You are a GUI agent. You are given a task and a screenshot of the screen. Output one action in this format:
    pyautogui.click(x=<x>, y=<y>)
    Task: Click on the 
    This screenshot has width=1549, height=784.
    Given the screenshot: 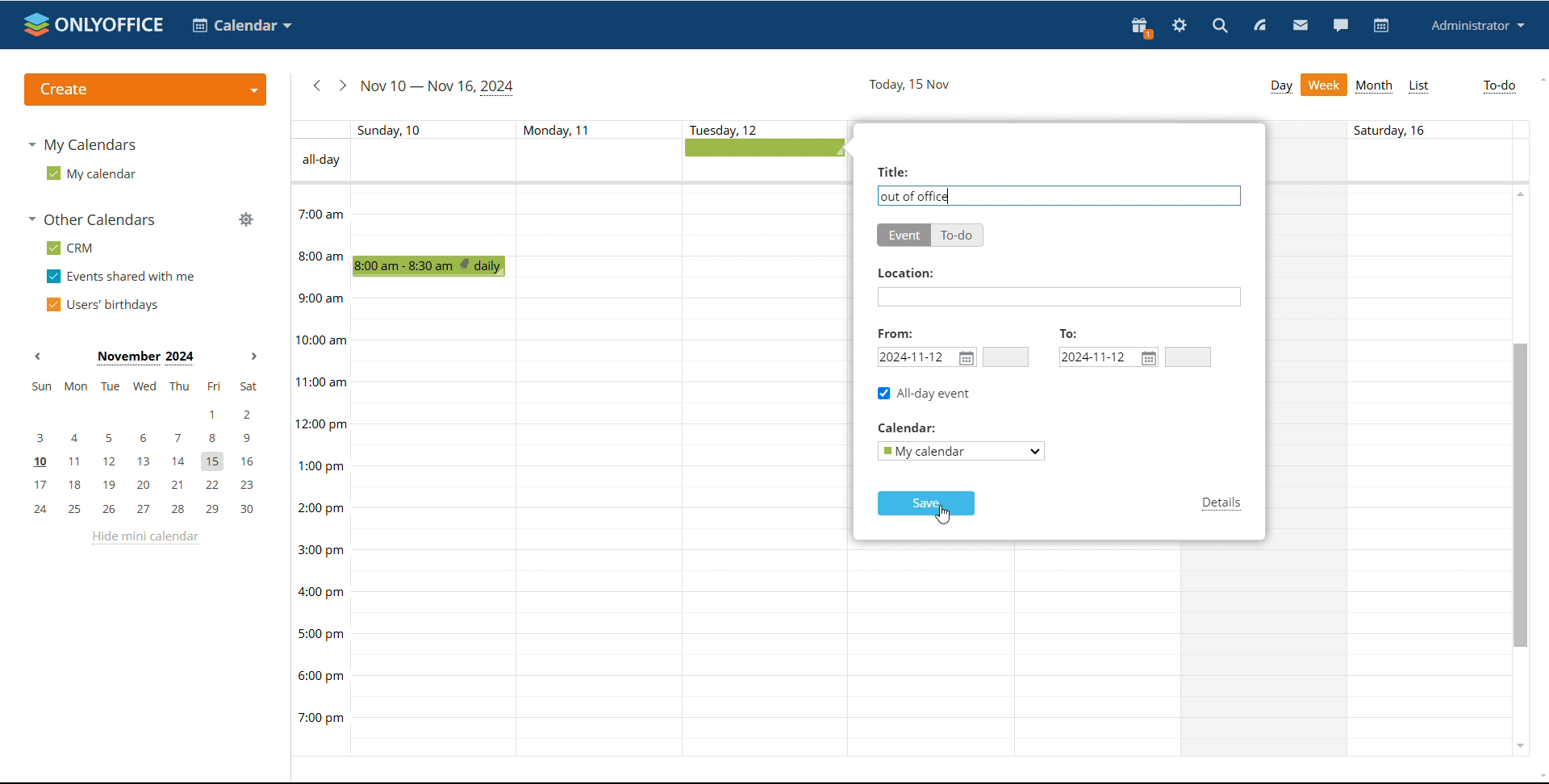 What is the action you would take?
    pyautogui.click(x=907, y=173)
    